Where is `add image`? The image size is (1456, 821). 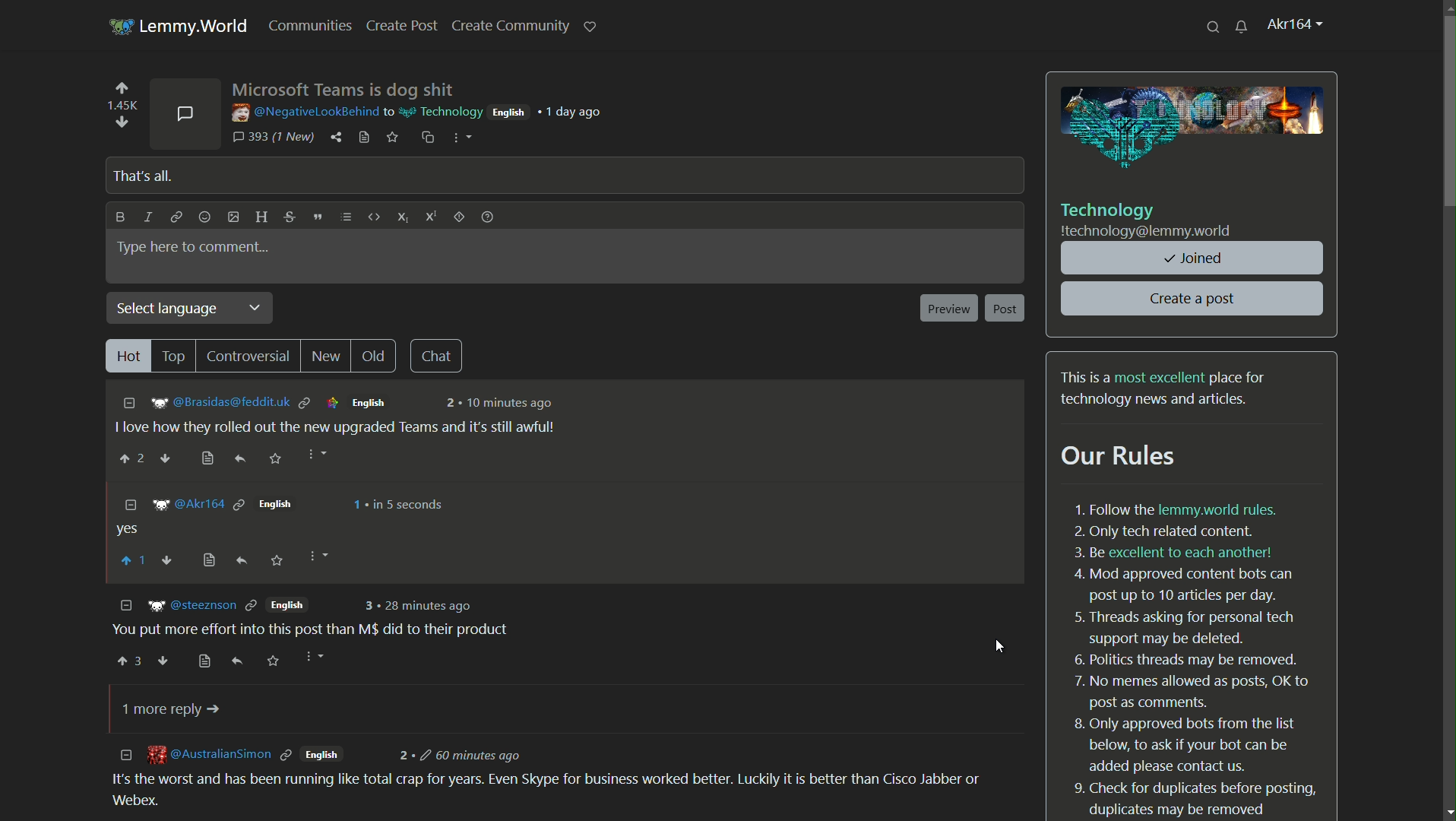
add image is located at coordinates (233, 217).